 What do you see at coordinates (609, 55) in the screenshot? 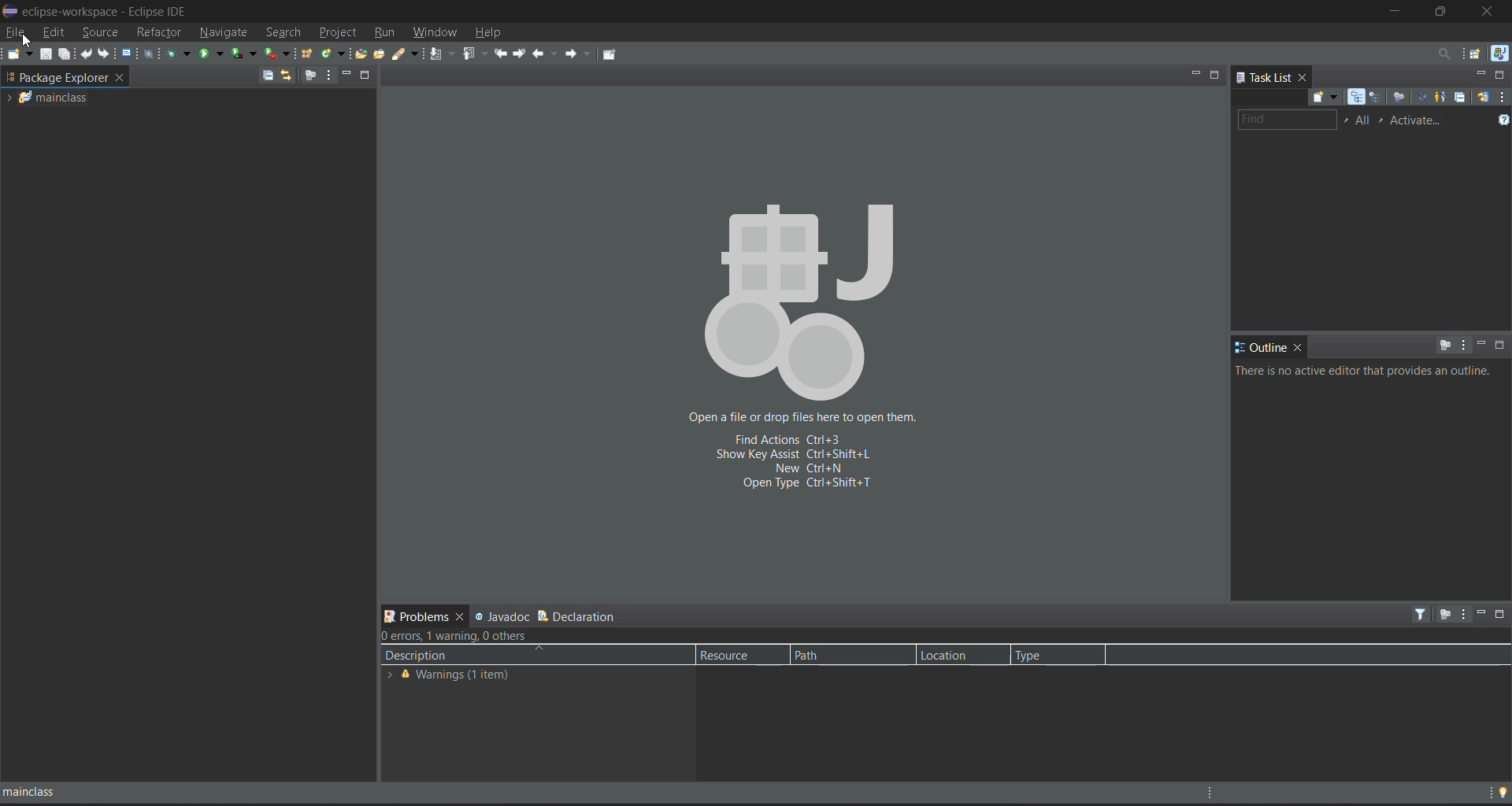
I see `pin editor` at bounding box center [609, 55].